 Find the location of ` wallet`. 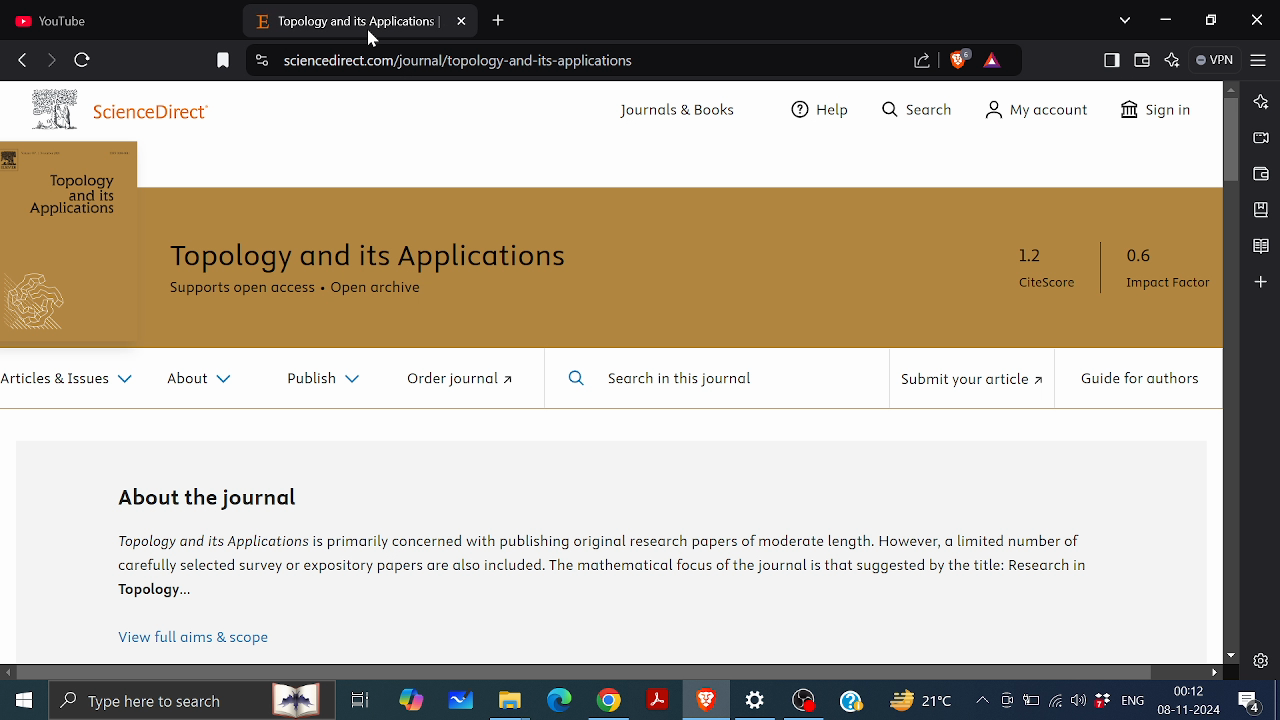

 wallet is located at coordinates (1143, 61).